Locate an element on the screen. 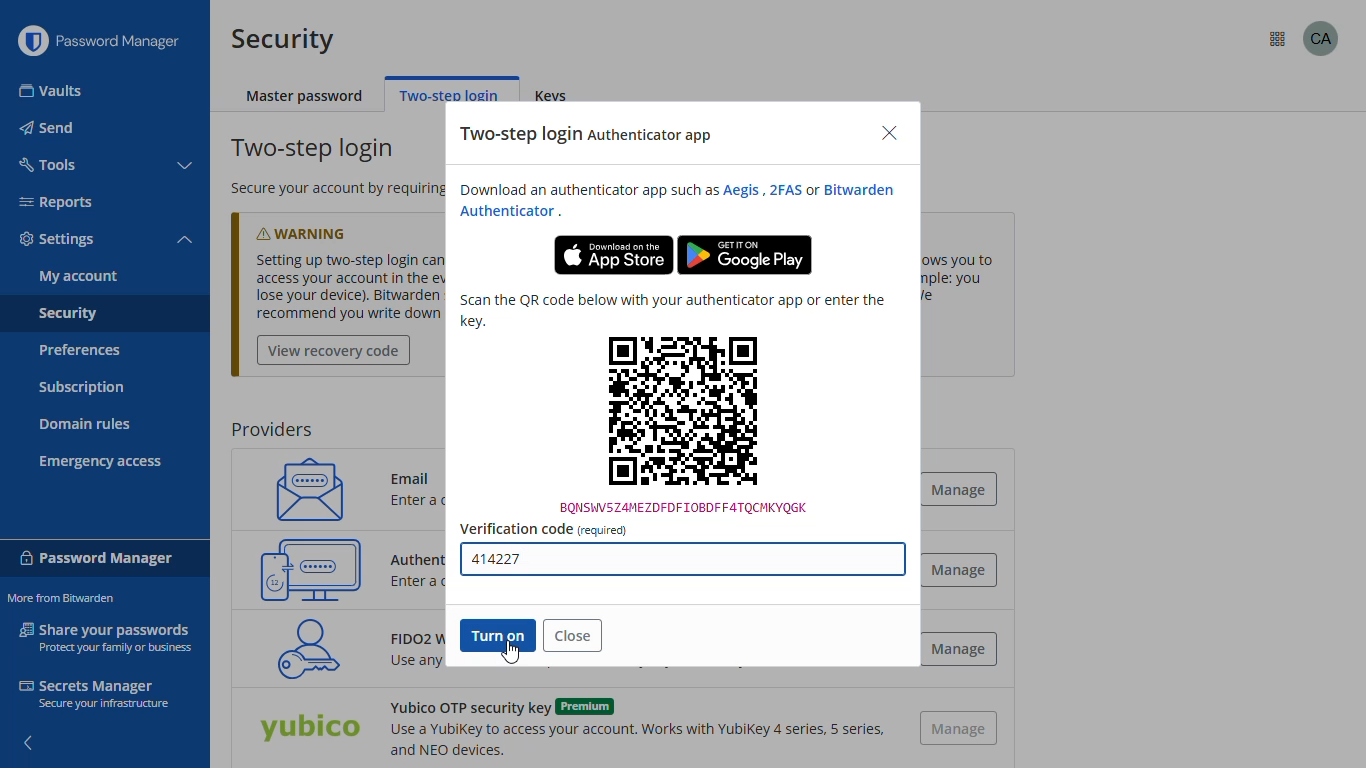  password manager is located at coordinates (97, 556).